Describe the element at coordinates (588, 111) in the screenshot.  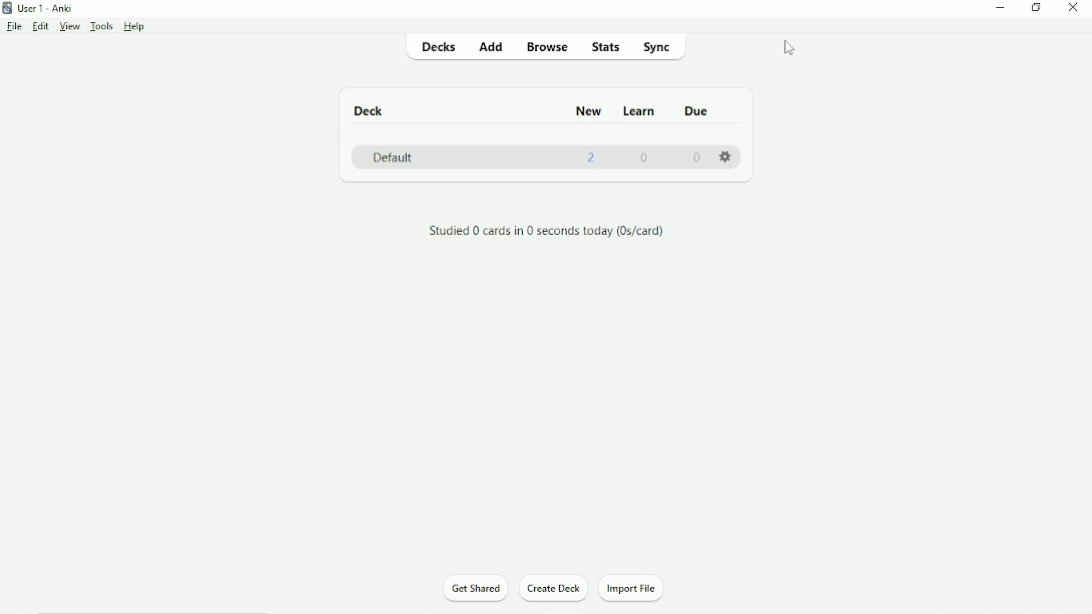
I see `New` at that location.